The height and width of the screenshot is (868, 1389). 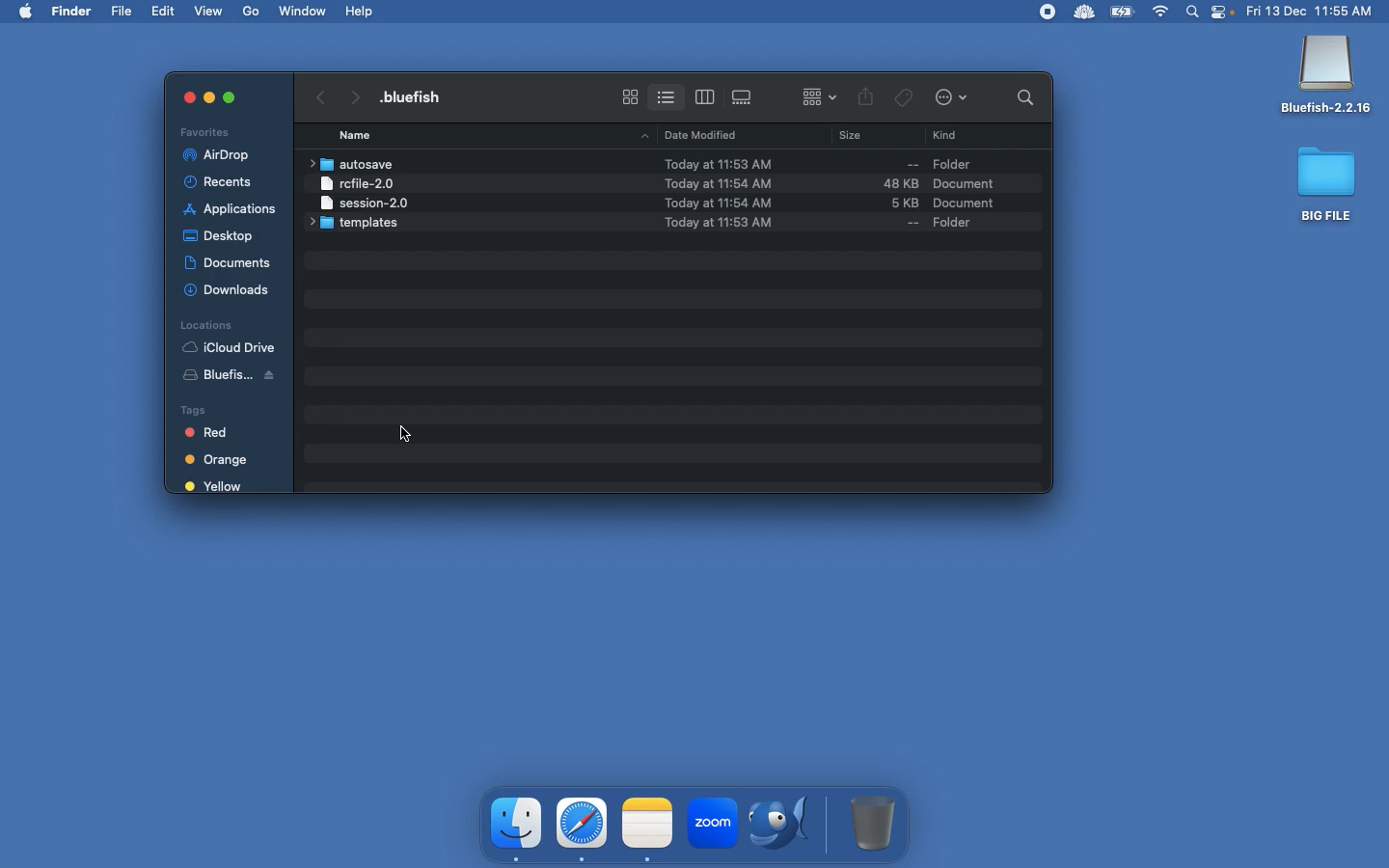 I want to click on Window, so click(x=304, y=11).